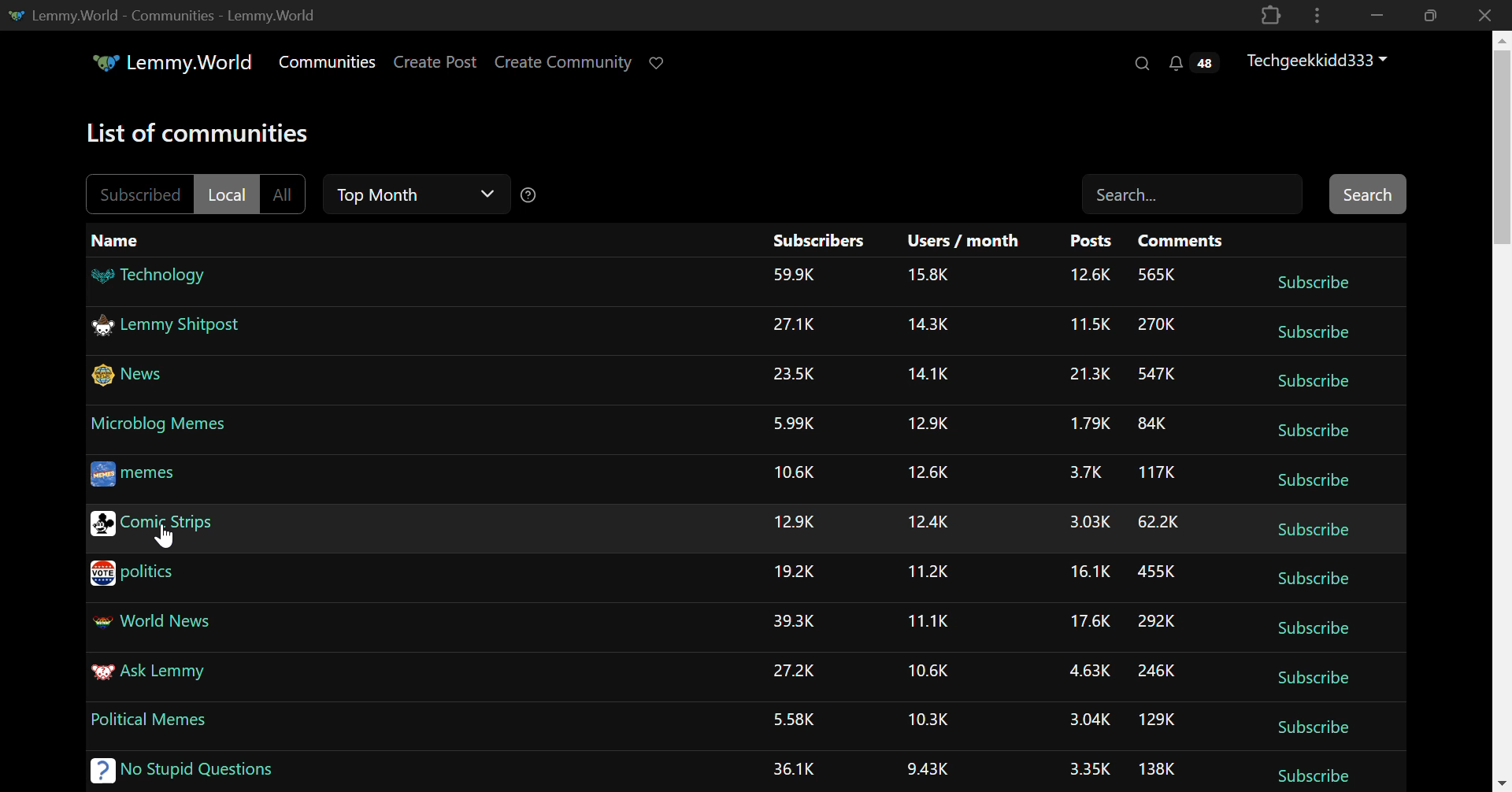 The height and width of the screenshot is (792, 1512). Describe the element at coordinates (1153, 671) in the screenshot. I see `246K` at that location.